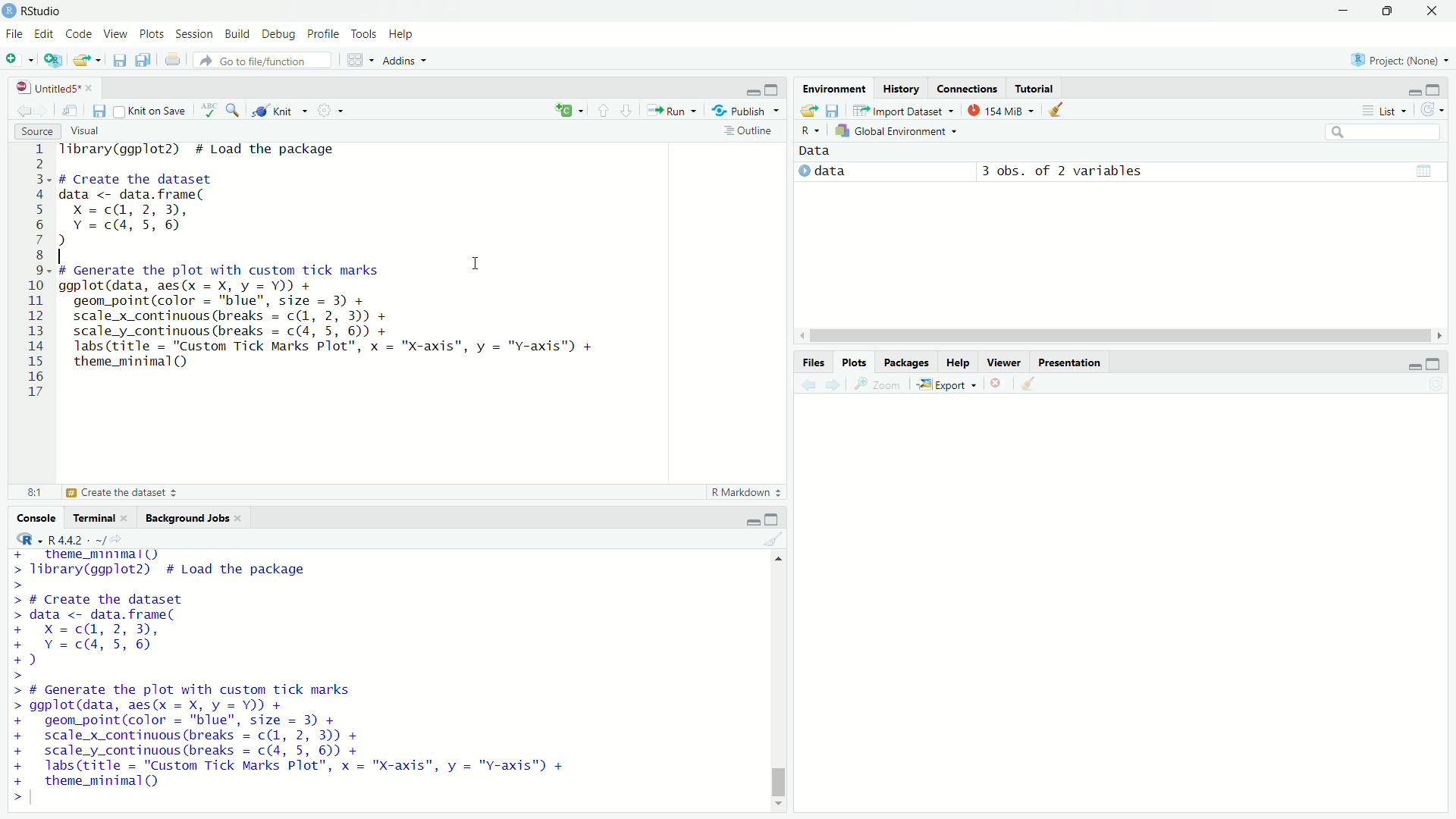 Image resolution: width=1456 pixels, height=819 pixels. Describe the element at coordinates (44, 11) in the screenshot. I see `RStudio` at that location.